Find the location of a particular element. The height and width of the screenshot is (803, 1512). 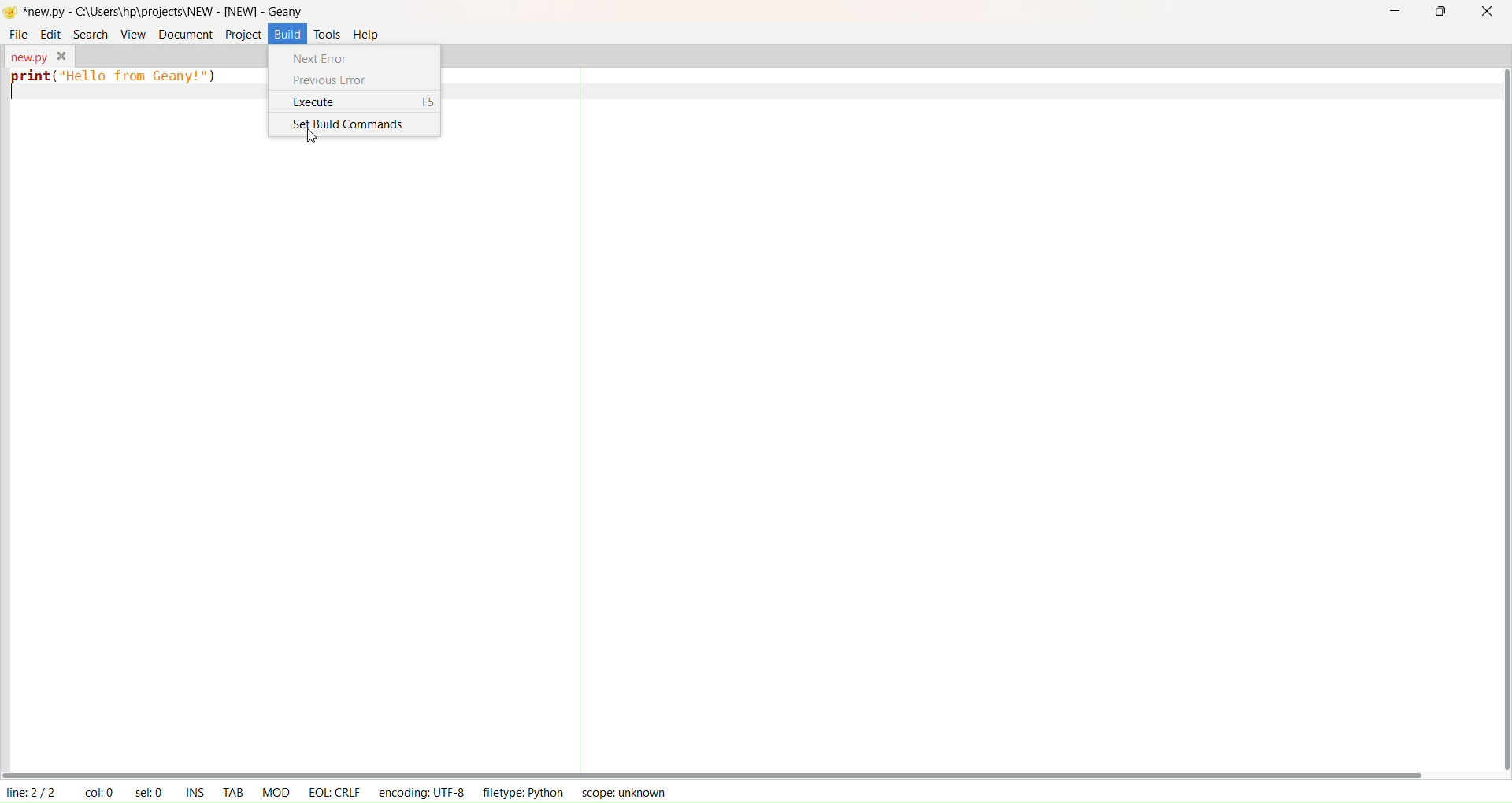

EOL CRLF is located at coordinates (335, 790).